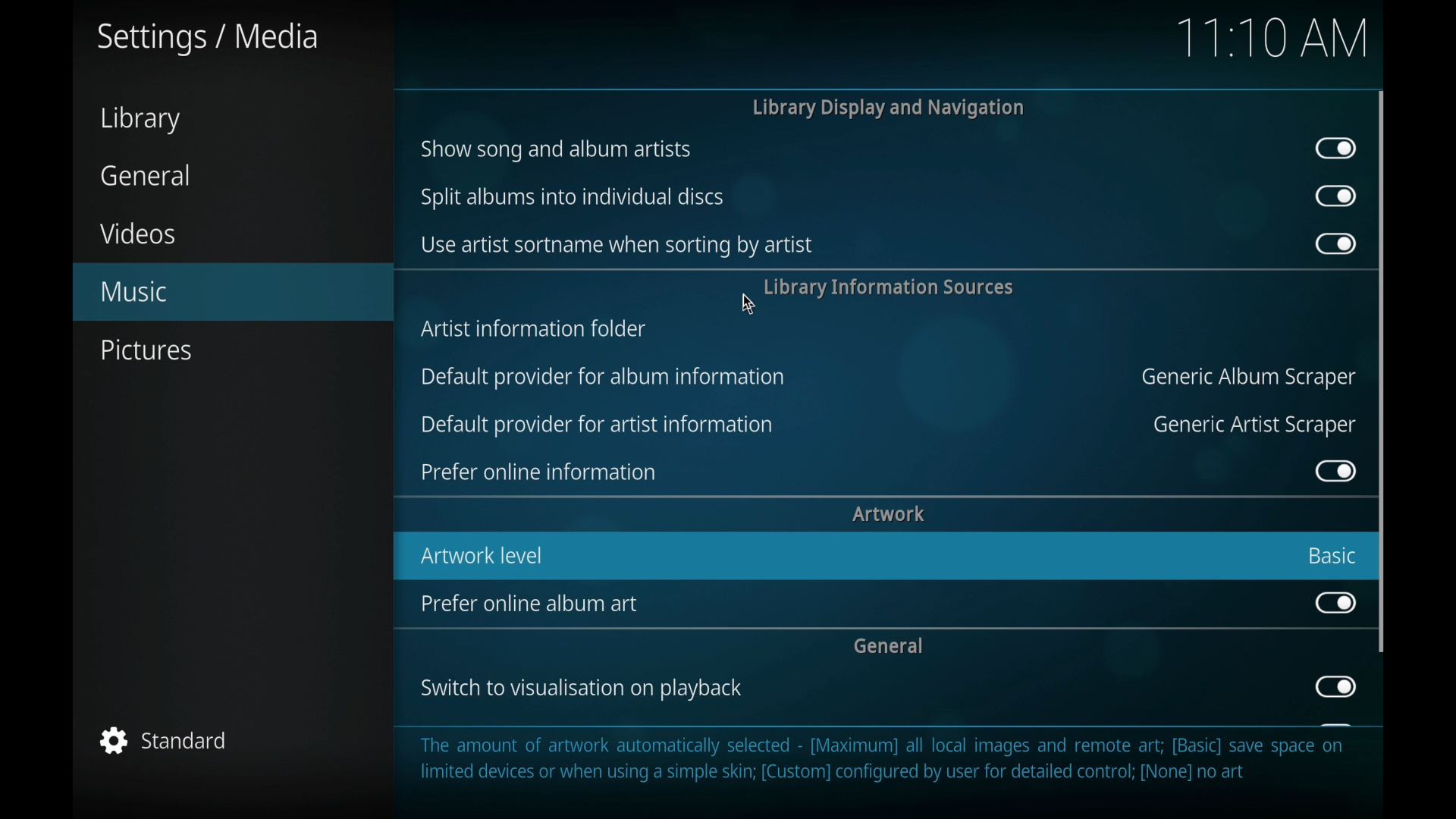  I want to click on toggle button, so click(1335, 602).